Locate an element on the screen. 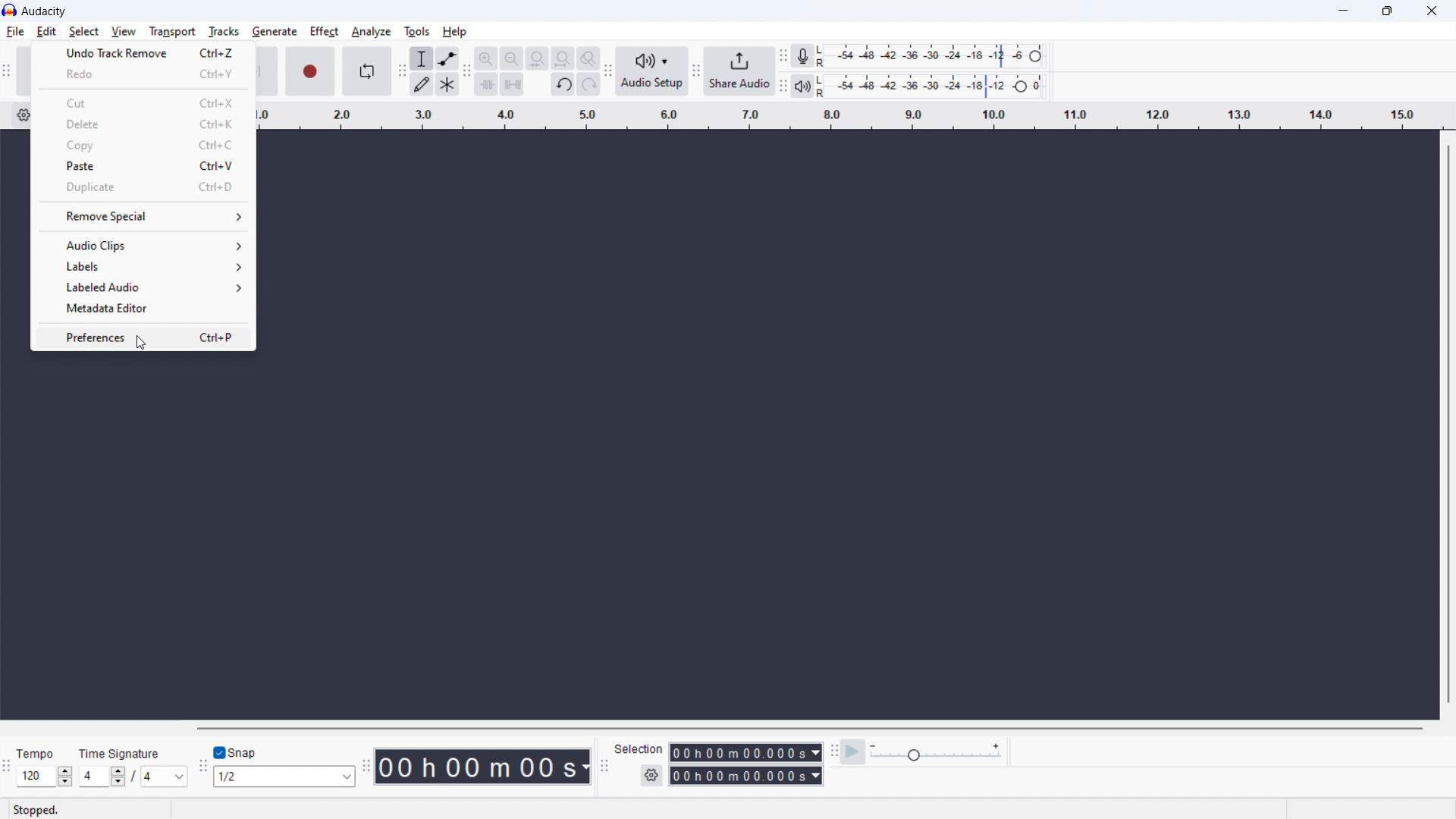 The width and height of the screenshot is (1456, 819). undo last move is located at coordinates (144, 51).